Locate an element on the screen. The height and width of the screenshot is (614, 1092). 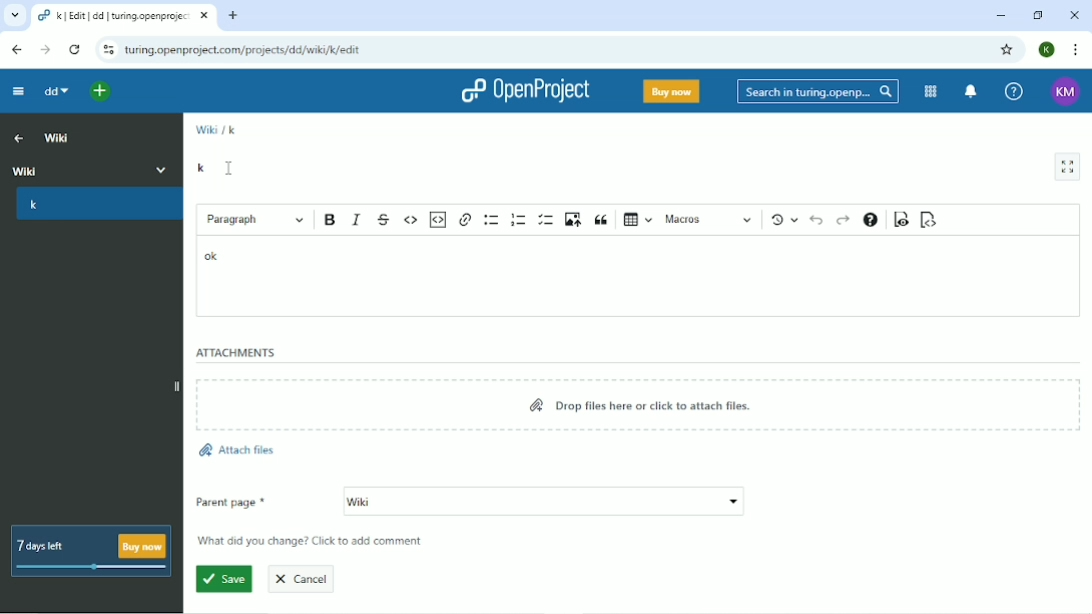
Activate zen mode is located at coordinates (1067, 167).